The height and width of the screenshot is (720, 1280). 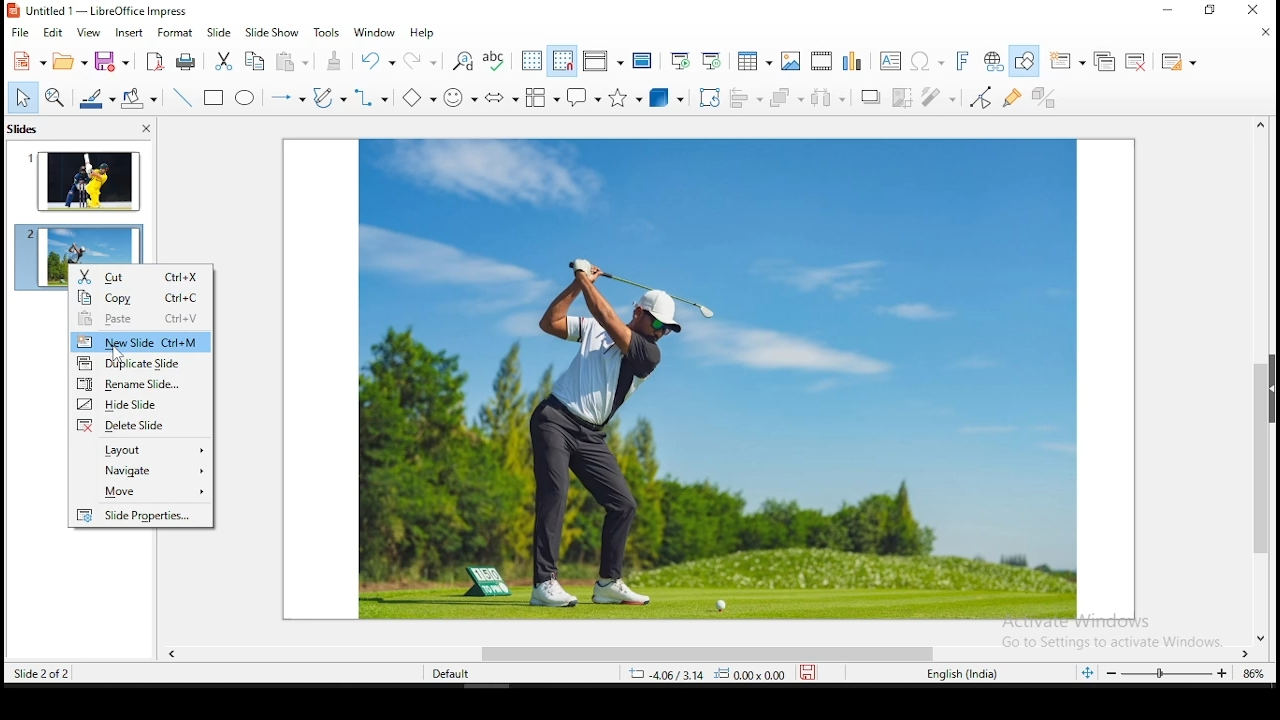 I want to click on Cut, so click(x=143, y=275).